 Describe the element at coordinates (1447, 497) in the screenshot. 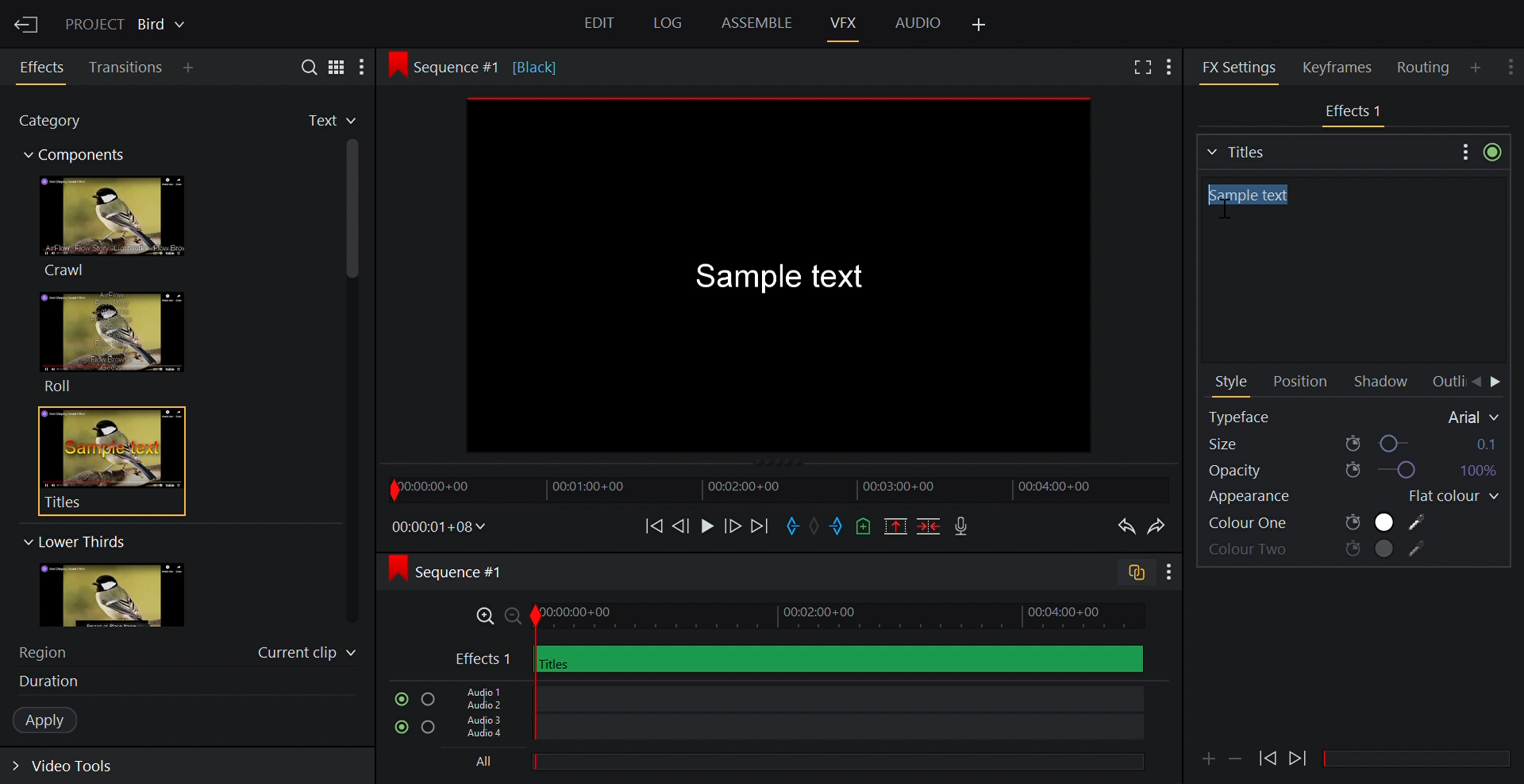

I see `Flat colour` at that location.